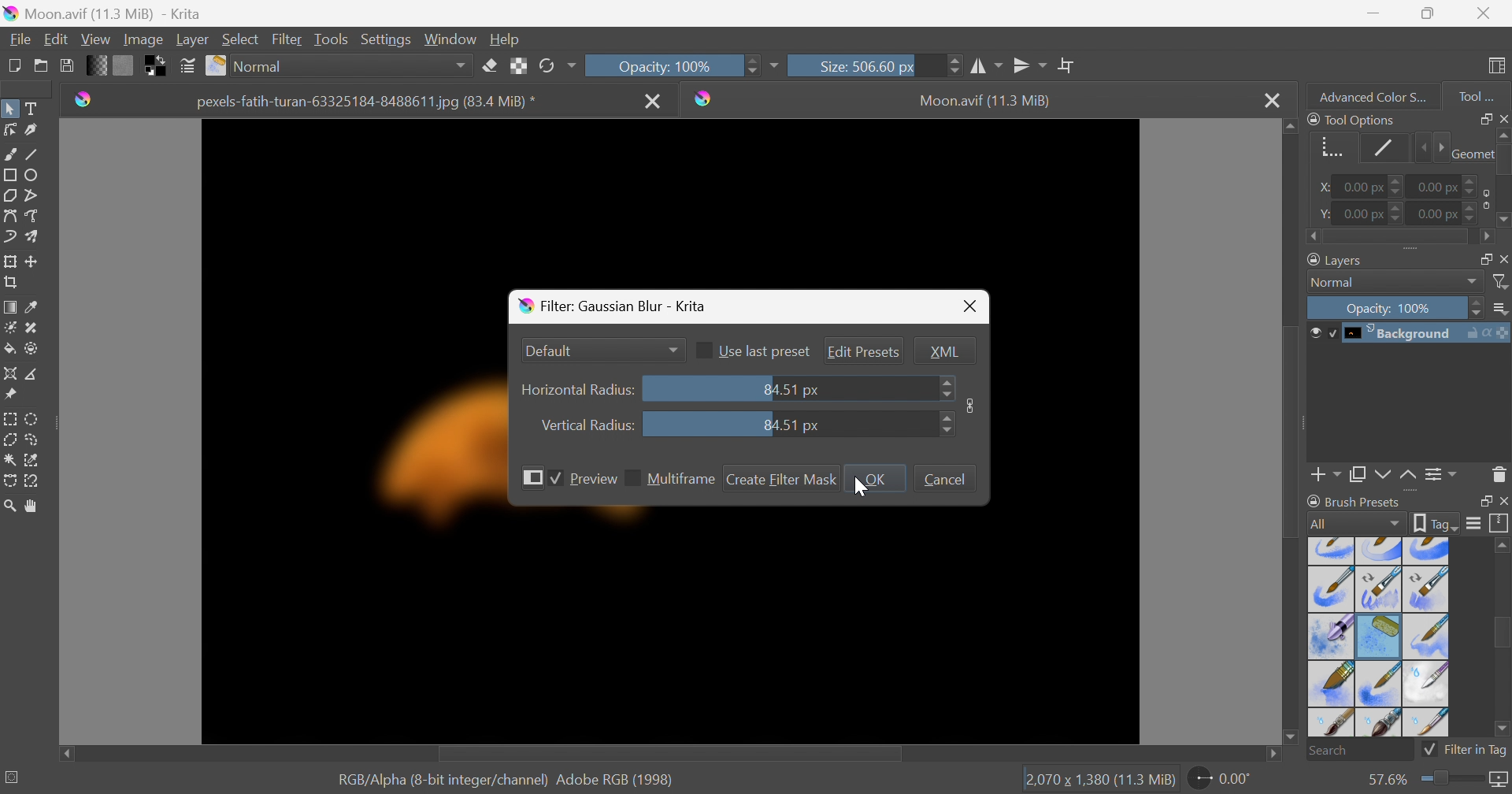 The image size is (1512, 794). Describe the element at coordinates (1394, 282) in the screenshot. I see `Normal` at that location.